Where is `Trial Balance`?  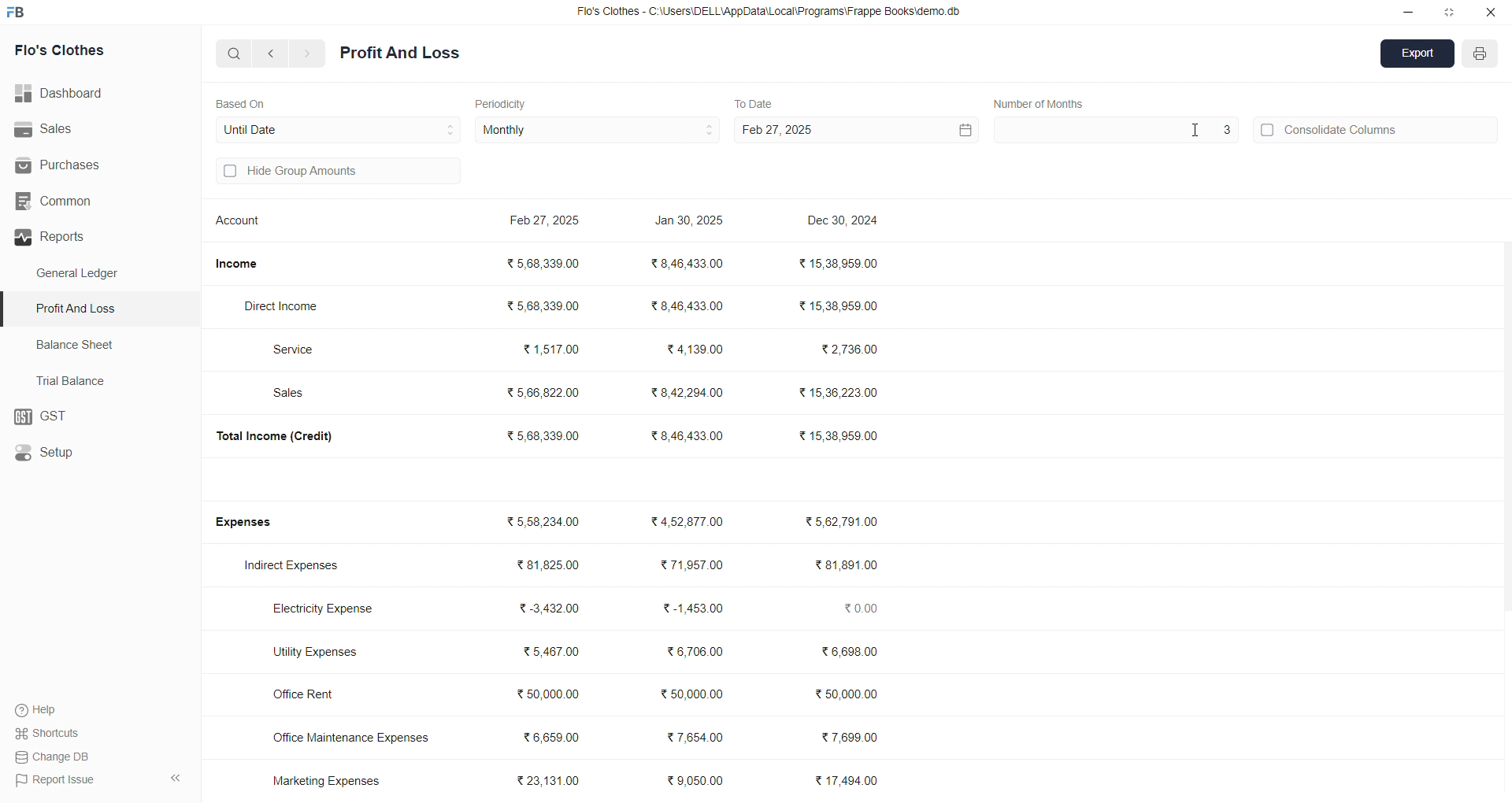 Trial Balance is located at coordinates (76, 380).